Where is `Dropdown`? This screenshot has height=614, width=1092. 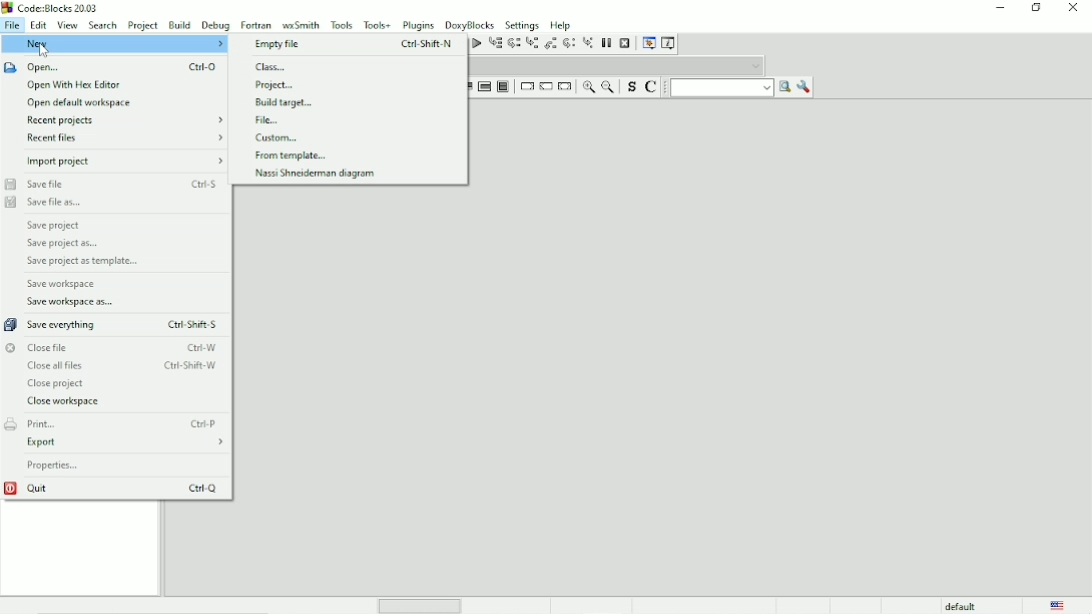 Dropdown is located at coordinates (618, 65).